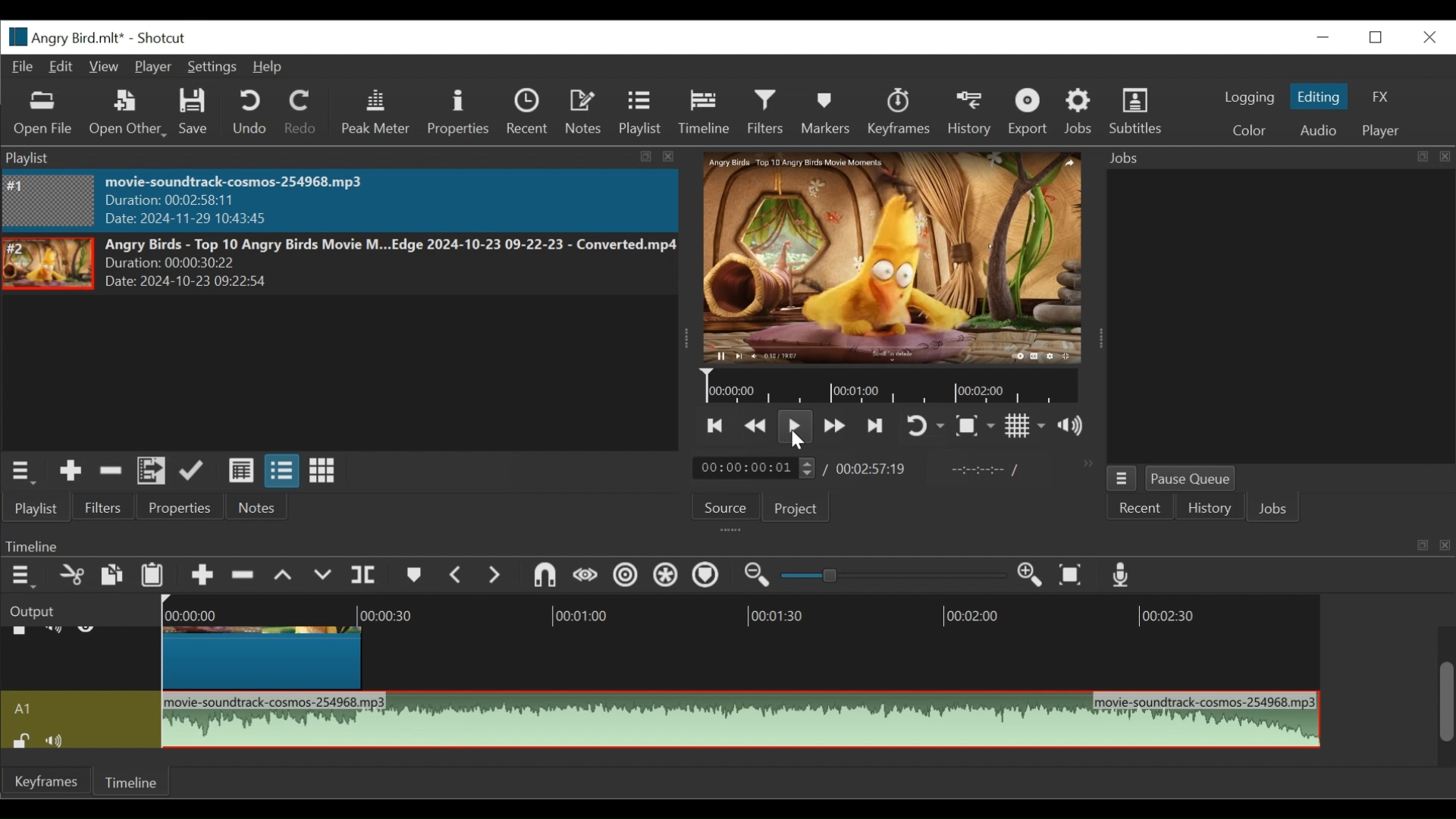 The height and width of the screenshot is (819, 1456). Describe the element at coordinates (897, 111) in the screenshot. I see `Keyframes` at that location.